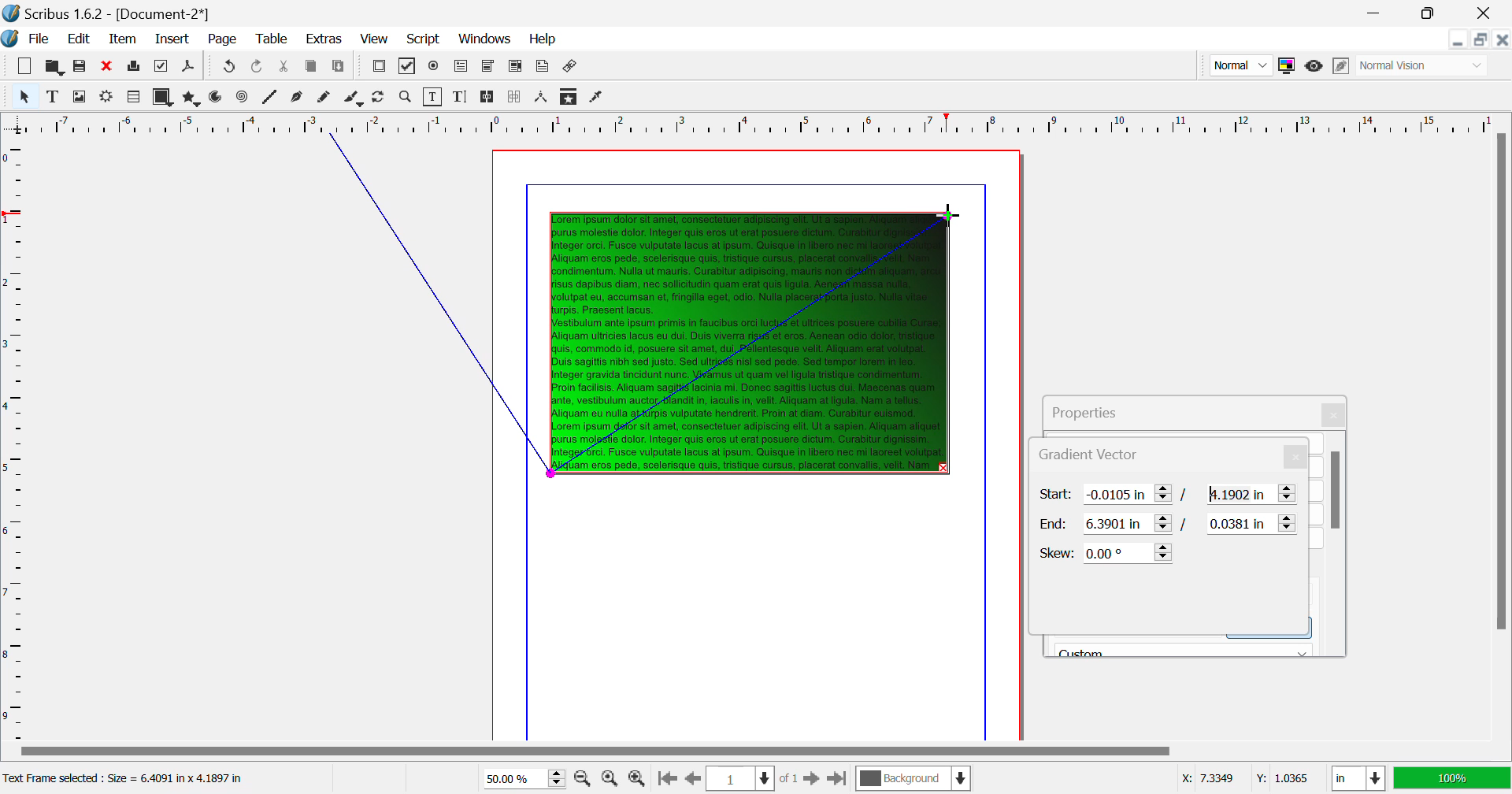 Image resolution: width=1512 pixels, height=794 pixels. What do you see at coordinates (127, 779) in the screenshot?
I see `Text Frame selected: Size = 6.4091 in x 4.1897 in` at bounding box center [127, 779].